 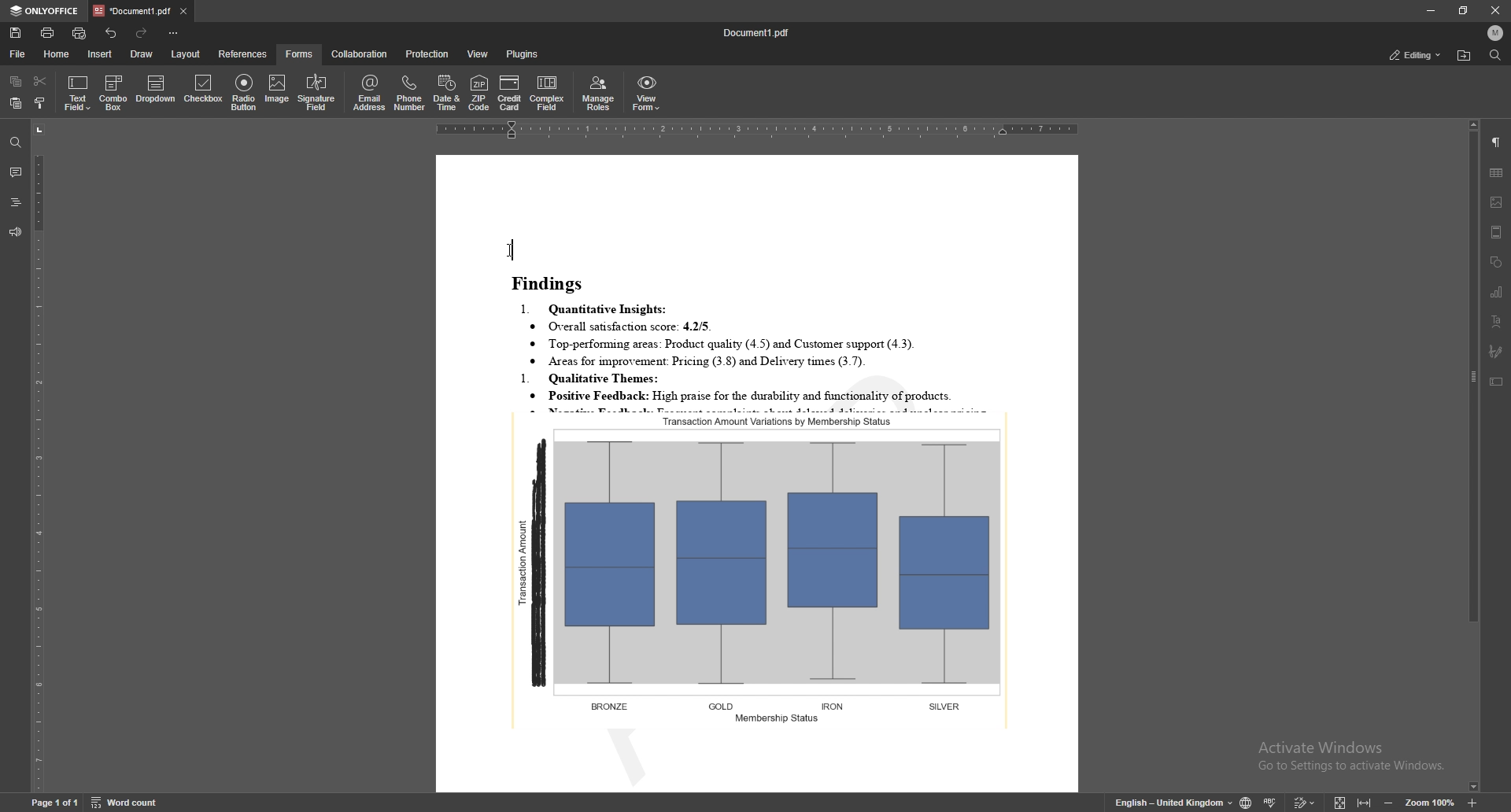 What do you see at coordinates (598, 378) in the screenshot?
I see `1. Qualitative Themes:` at bounding box center [598, 378].